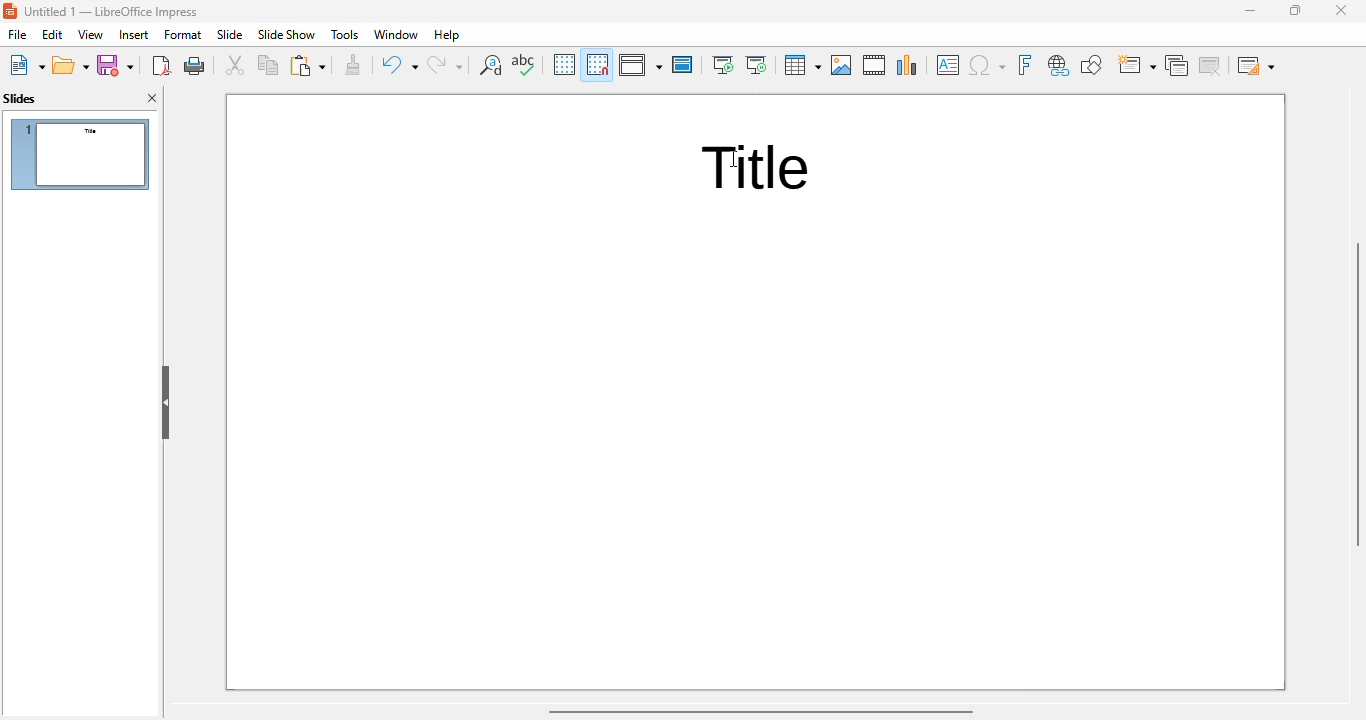  I want to click on delete slide, so click(1211, 66).